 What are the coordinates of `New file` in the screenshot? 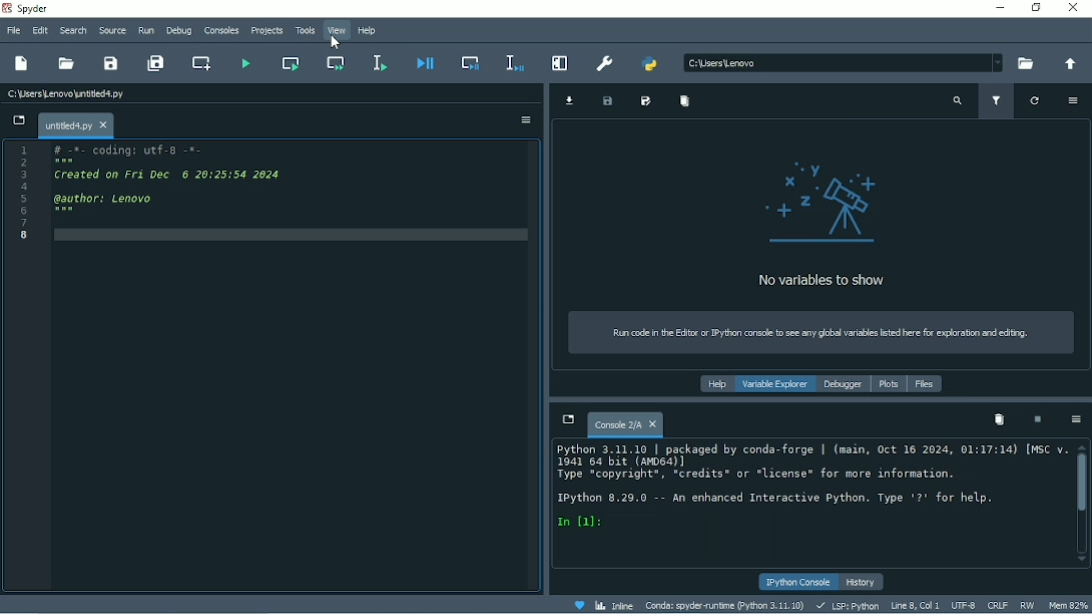 It's located at (23, 64).